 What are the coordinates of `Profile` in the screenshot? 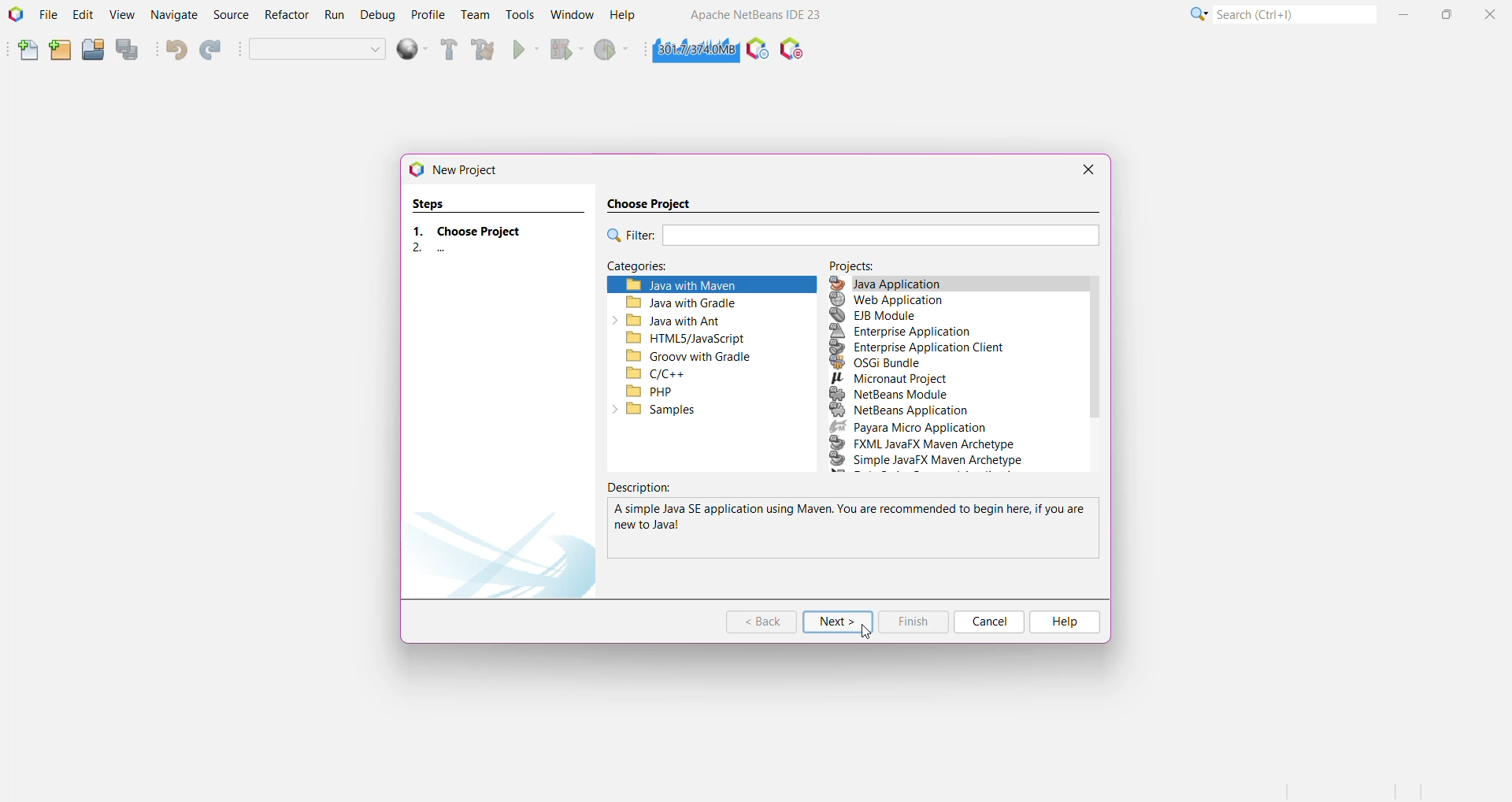 It's located at (427, 15).